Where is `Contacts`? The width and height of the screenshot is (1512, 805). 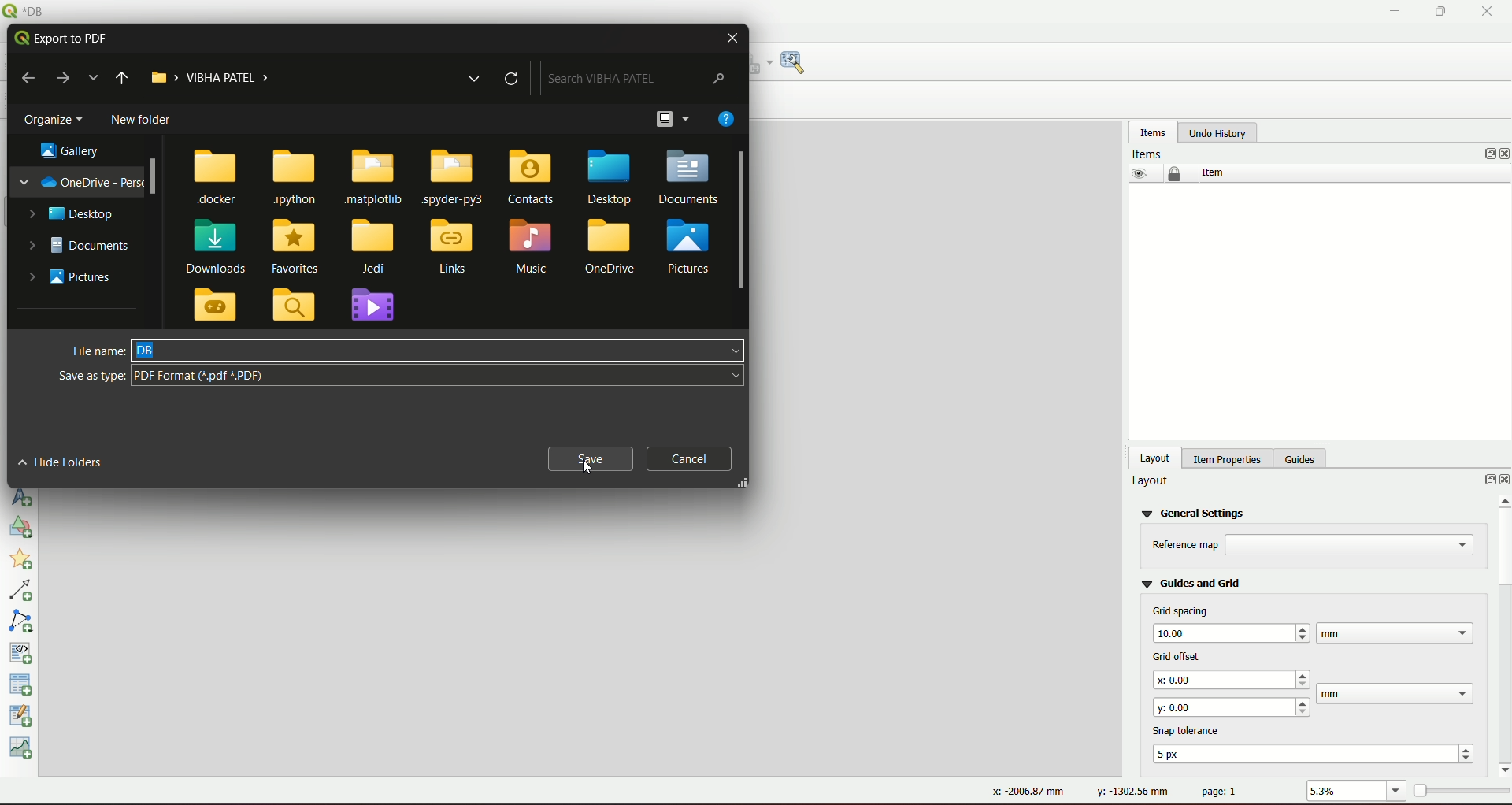
Contacts is located at coordinates (538, 177).